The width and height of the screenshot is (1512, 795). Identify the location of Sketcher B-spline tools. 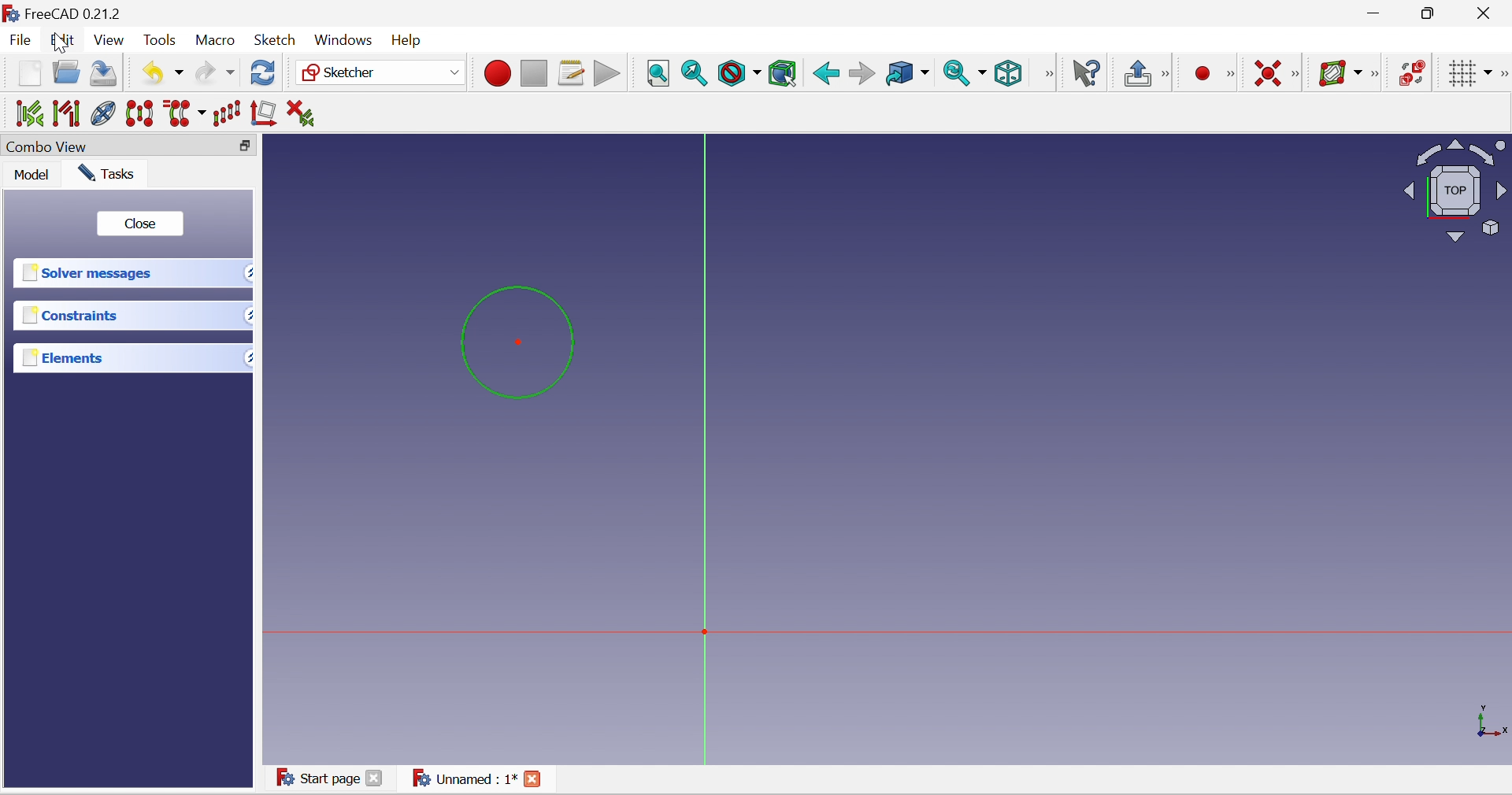
(1378, 74).